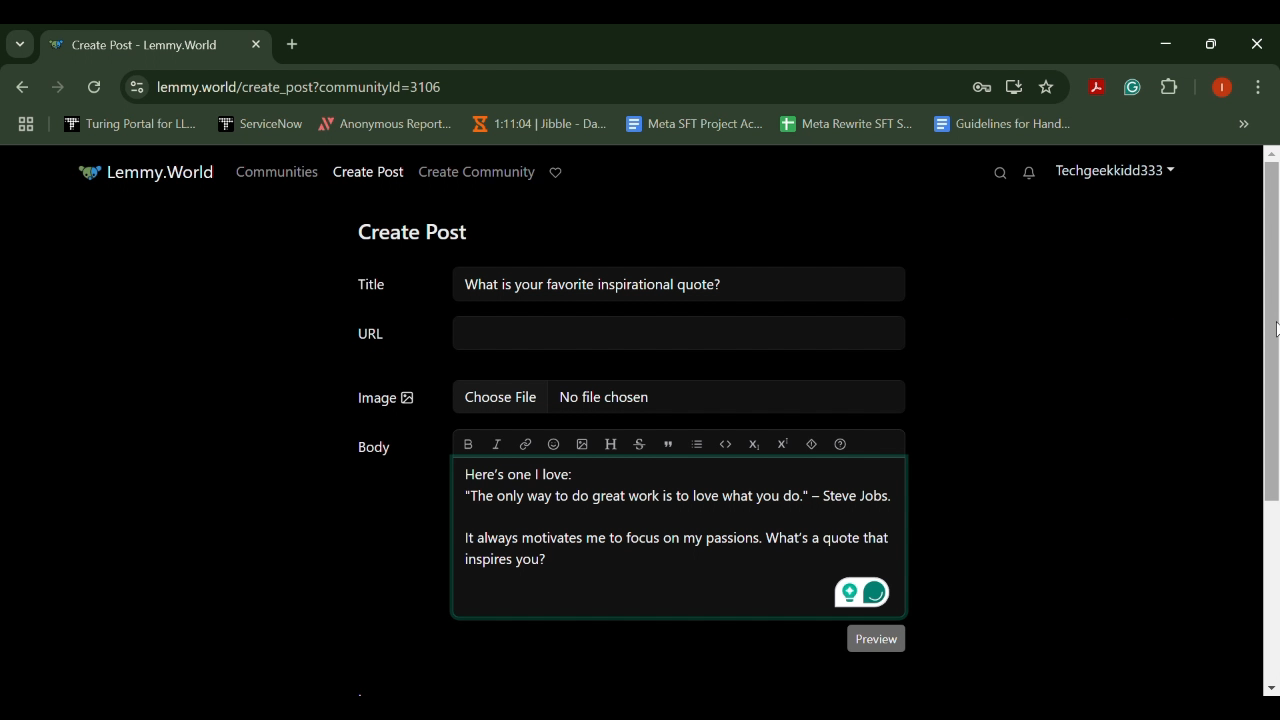 The height and width of the screenshot is (720, 1280). I want to click on Bookmark Site Button, so click(1046, 88).